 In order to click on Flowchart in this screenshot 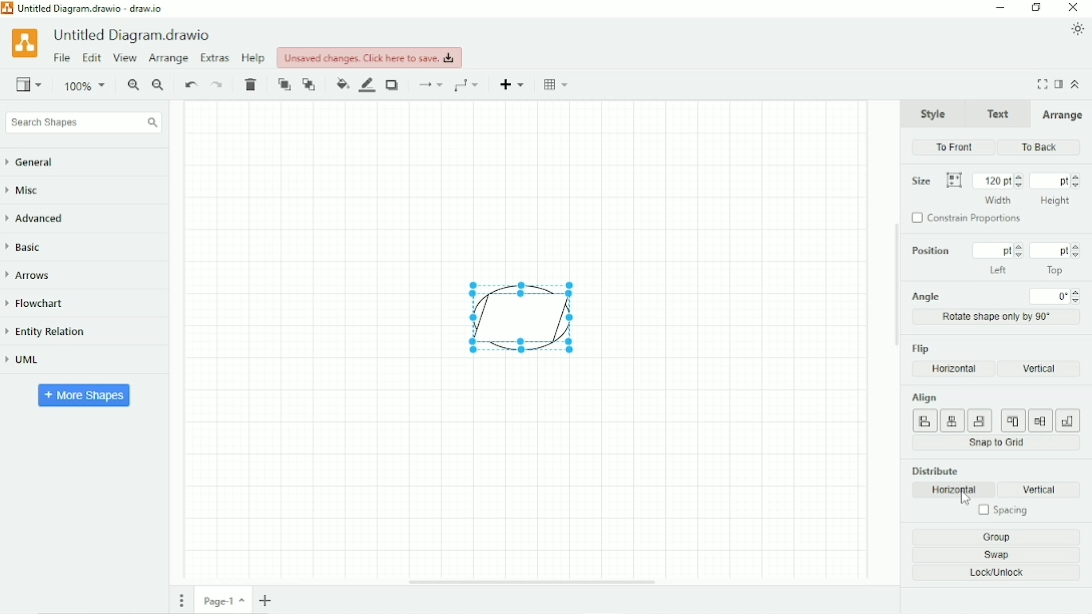, I will do `click(43, 304)`.